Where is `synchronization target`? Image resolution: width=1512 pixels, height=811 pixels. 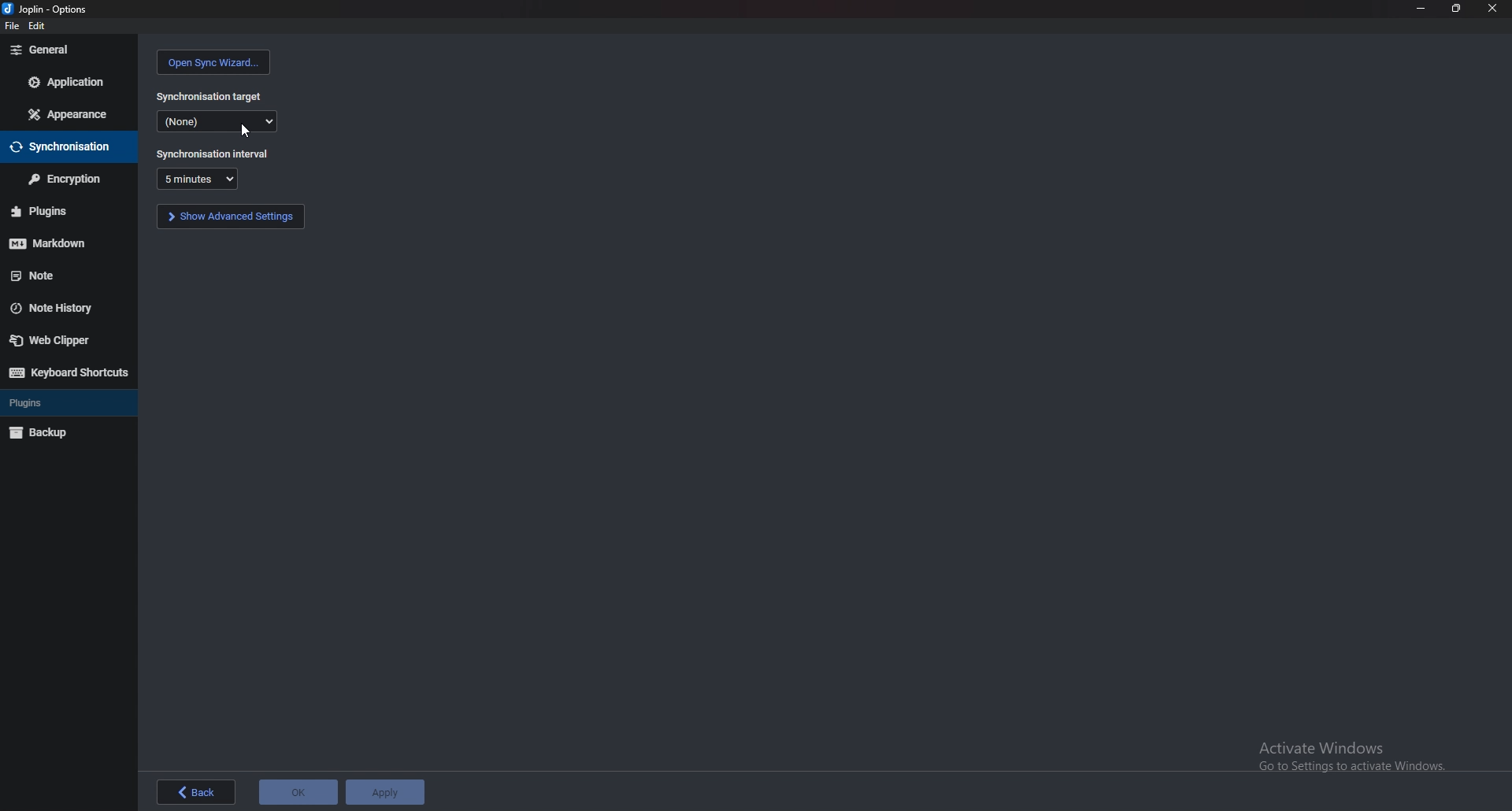
synchronization target is located at coordinates (211, 96).